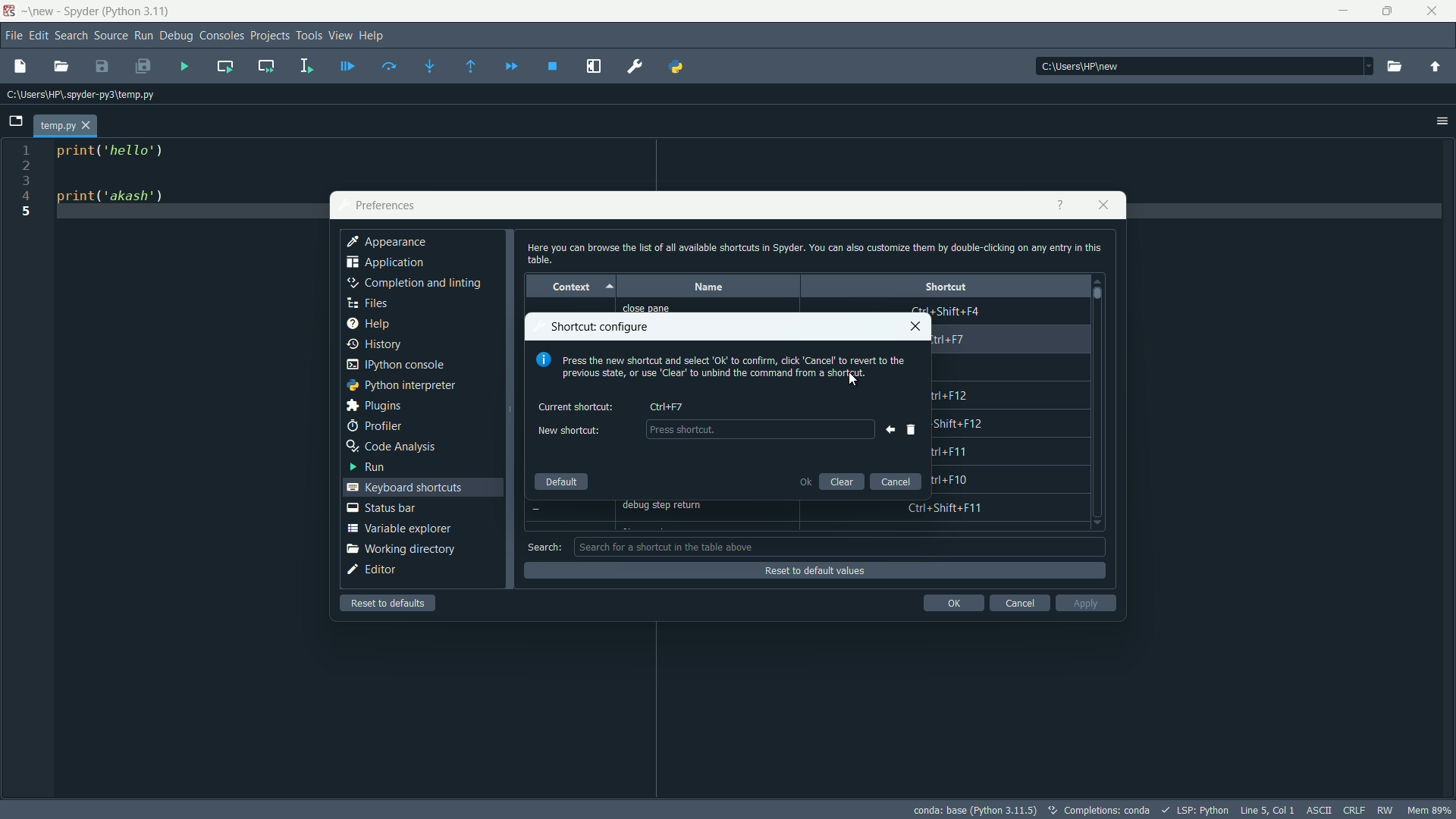 Image resolution: width=1456 pixels, height=819 pixels. Describe the element at coordinates (1203, 810) in the screenshot. I see `LSP:Python` at that location.